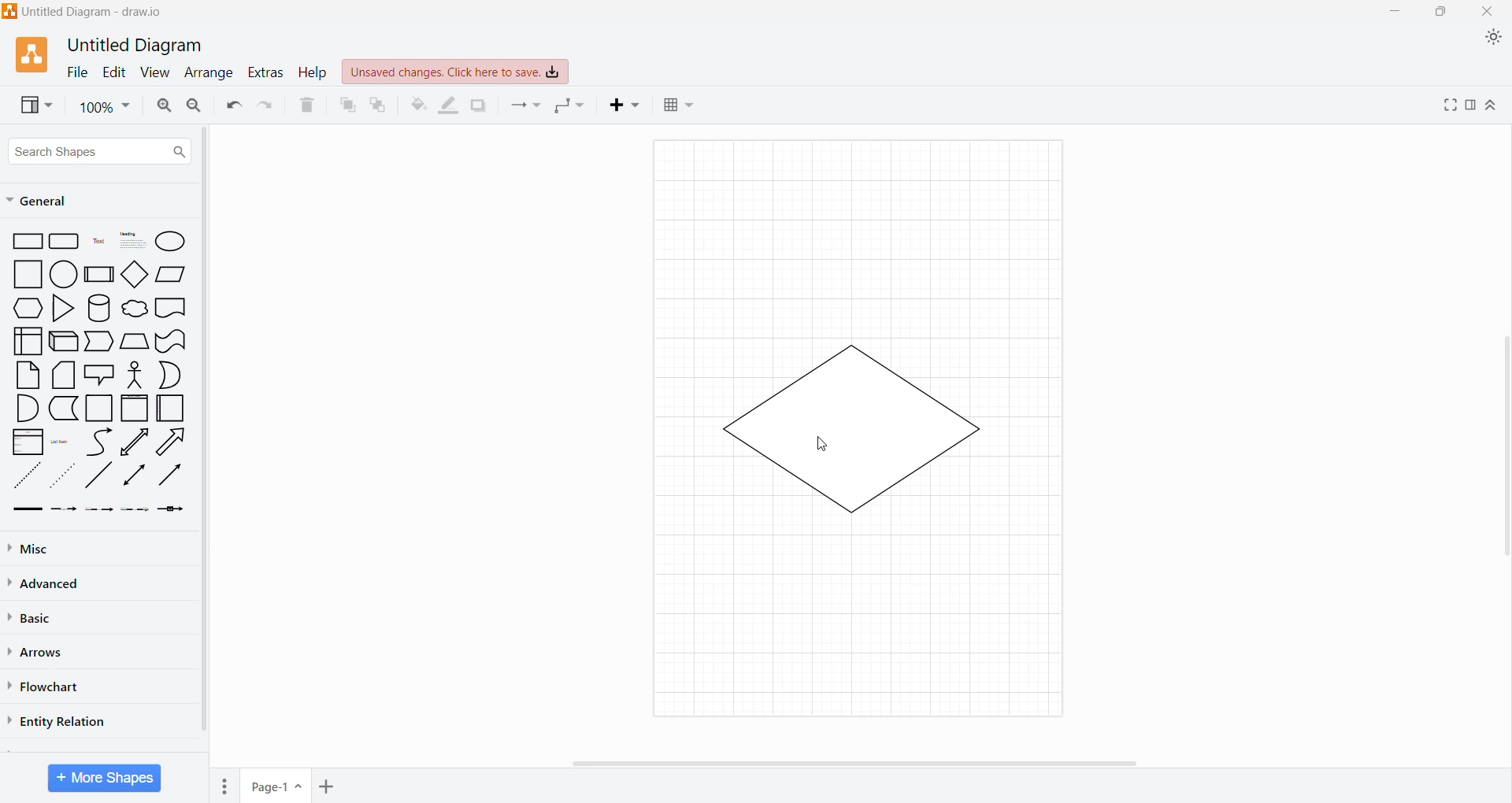 The image size is (1512, 803). Describe the element at coordinates (171, 342) in the screenshot. I see `Tape` at that location.